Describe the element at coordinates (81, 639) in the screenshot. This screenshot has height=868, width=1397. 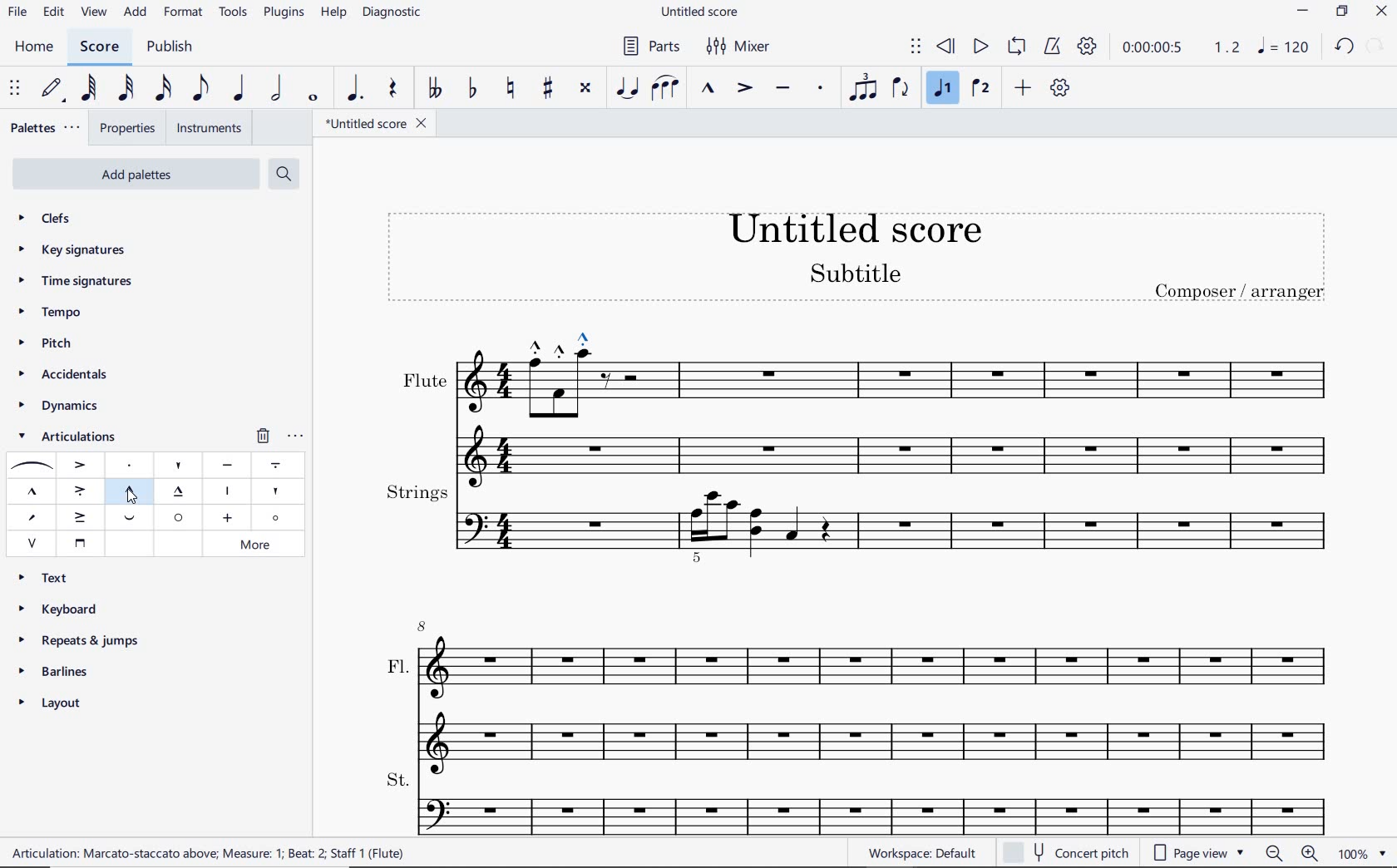
I see `repeats & jumps` at that location.